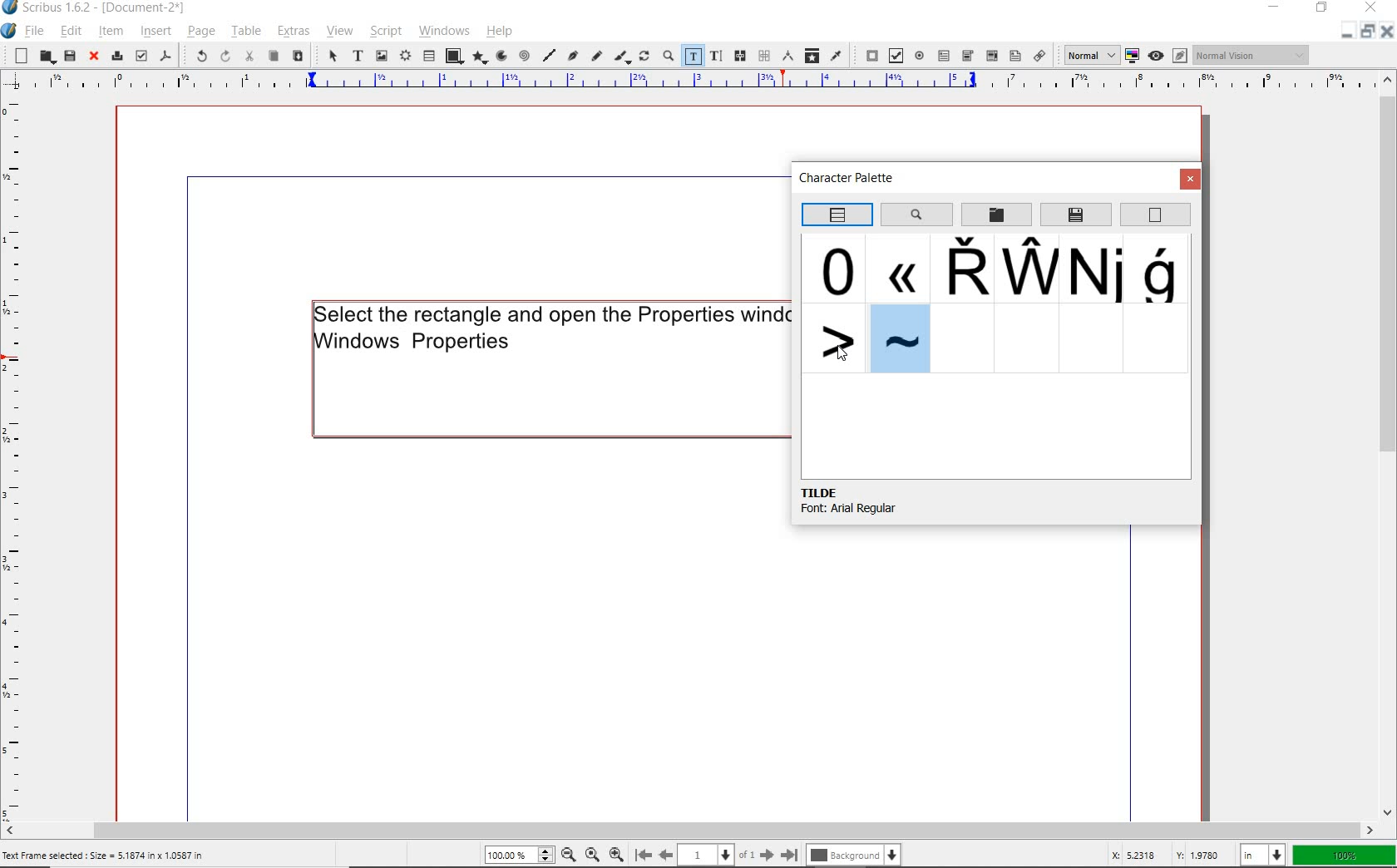 This screenshot has width=1397, height=868. What do you see at coordinates (747, 854) in the screenshot?
I see `of 1` at bounding box center [747, 854].